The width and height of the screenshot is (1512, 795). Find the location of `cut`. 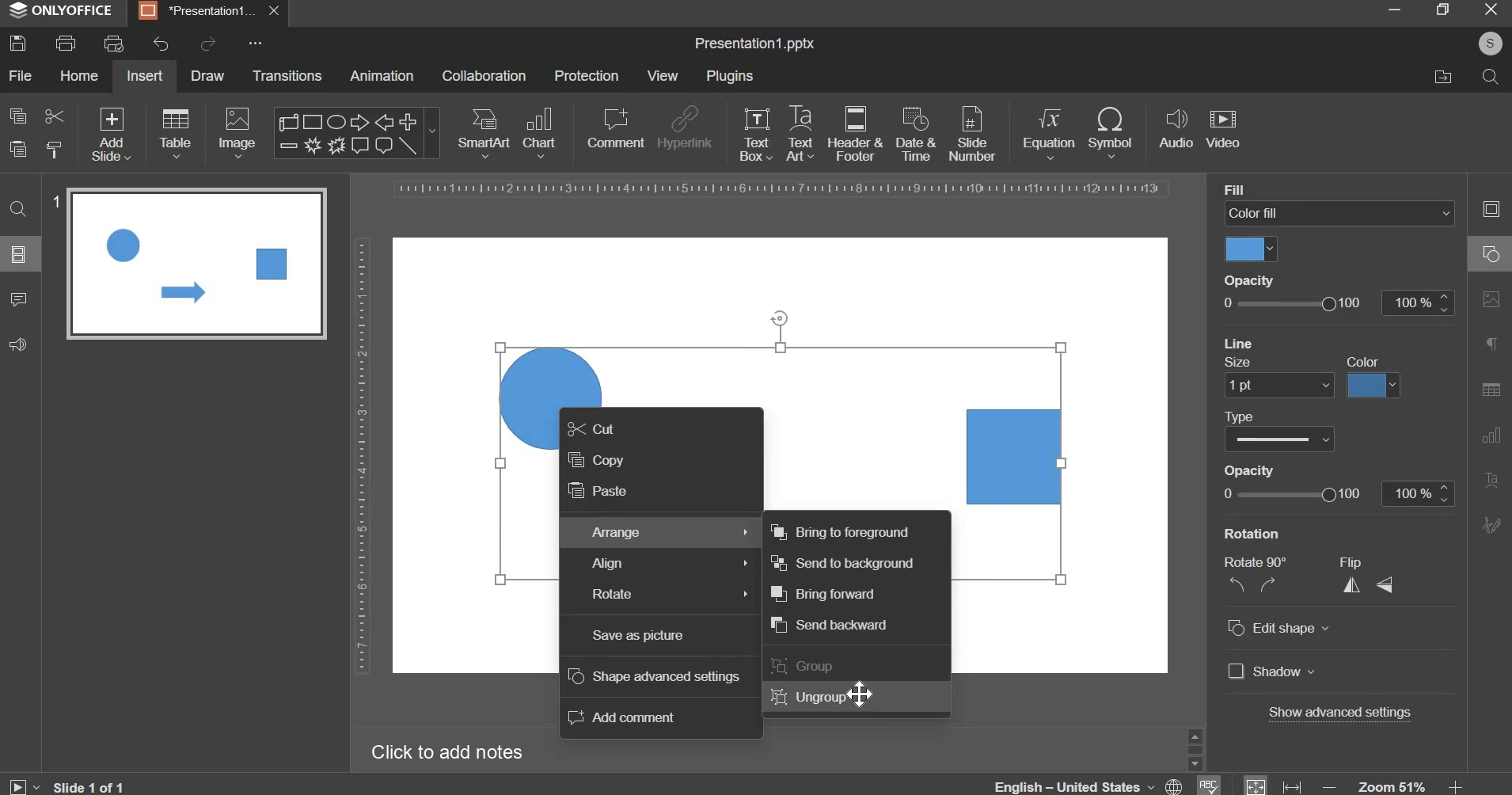

cut is located at coordinates (53, 115).